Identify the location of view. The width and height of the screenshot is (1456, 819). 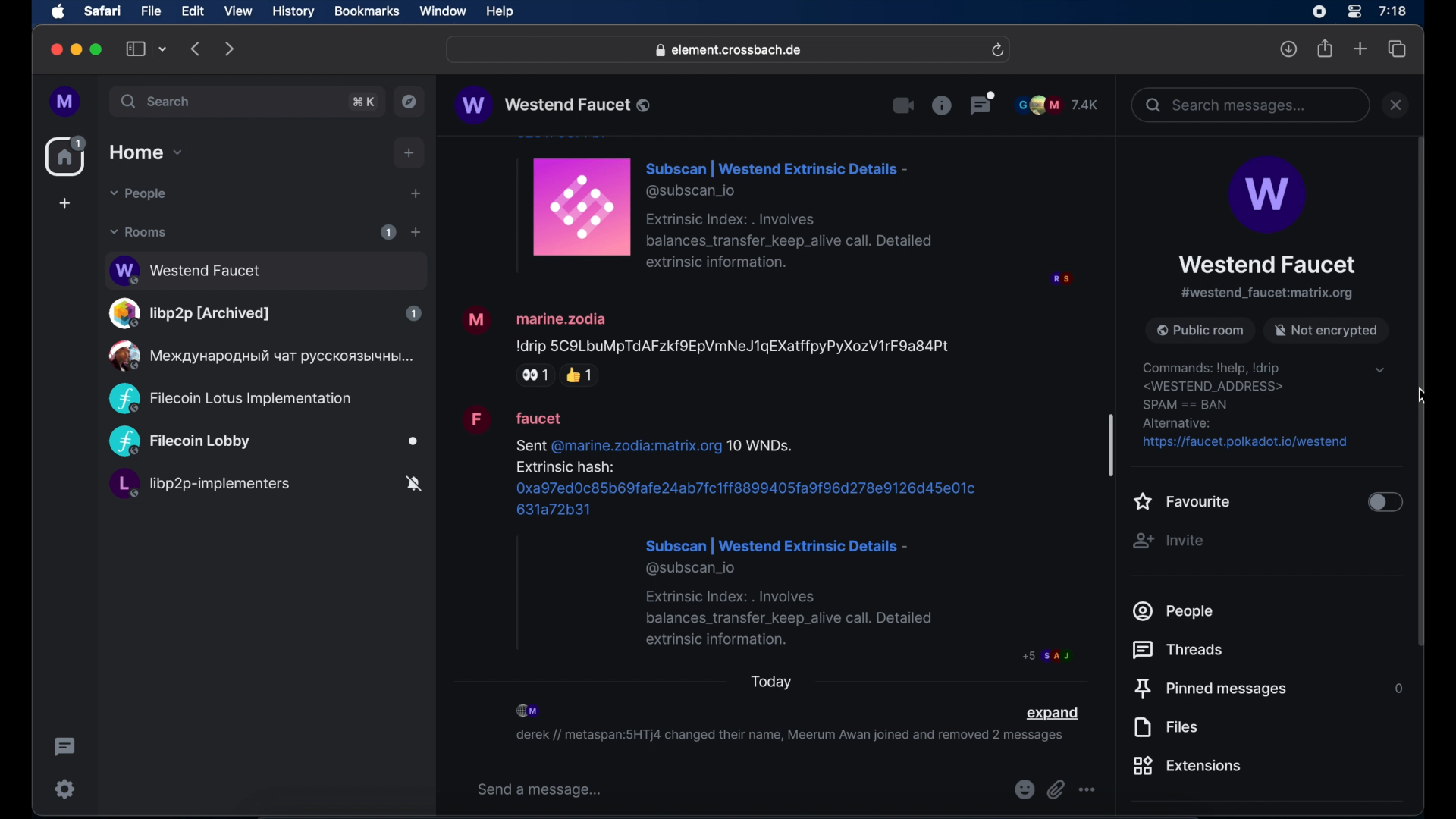
(237, 11).